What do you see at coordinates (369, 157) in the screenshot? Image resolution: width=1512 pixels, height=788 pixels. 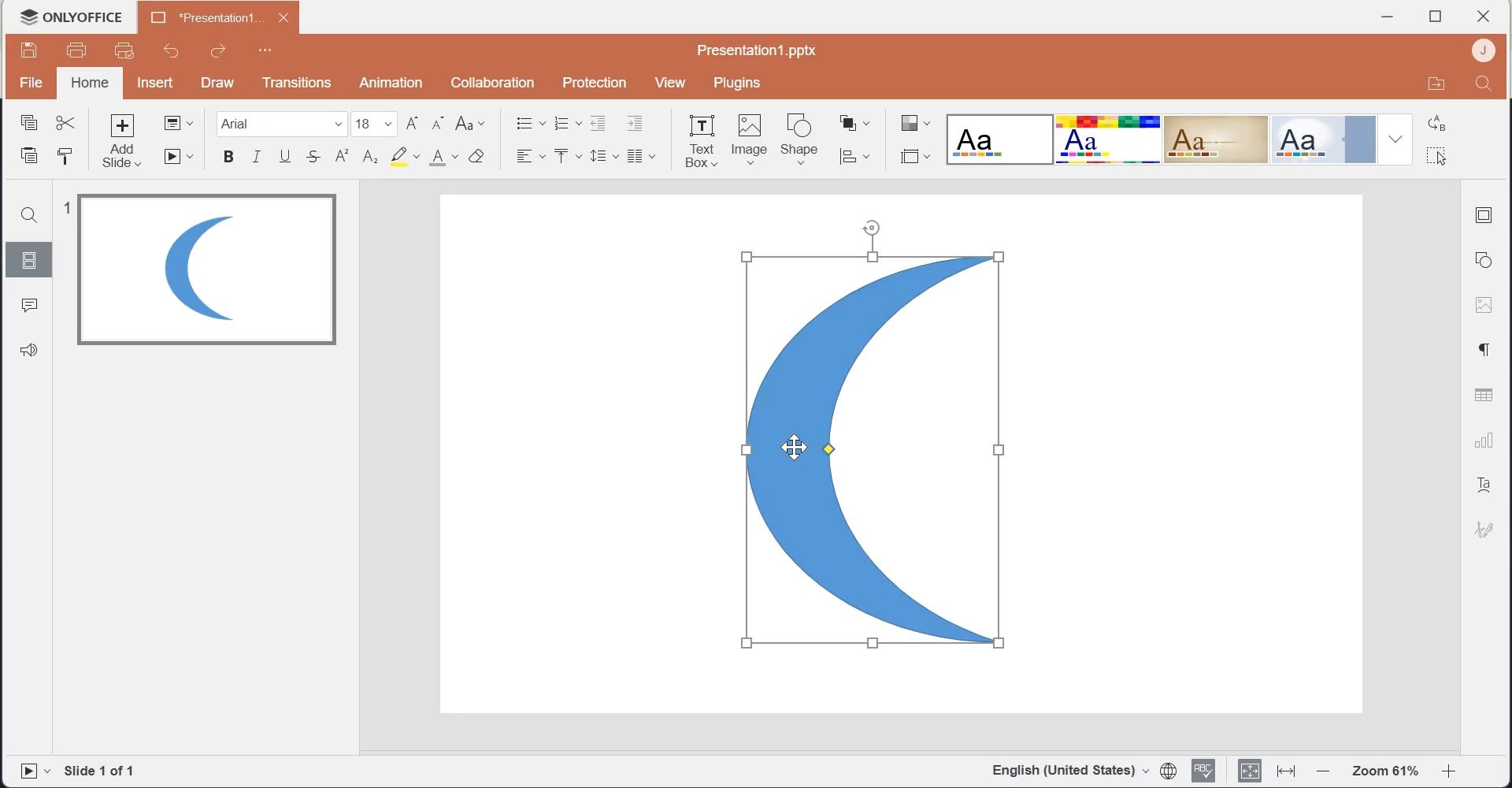 I see `Subscript` at bounding box center [369, 157].